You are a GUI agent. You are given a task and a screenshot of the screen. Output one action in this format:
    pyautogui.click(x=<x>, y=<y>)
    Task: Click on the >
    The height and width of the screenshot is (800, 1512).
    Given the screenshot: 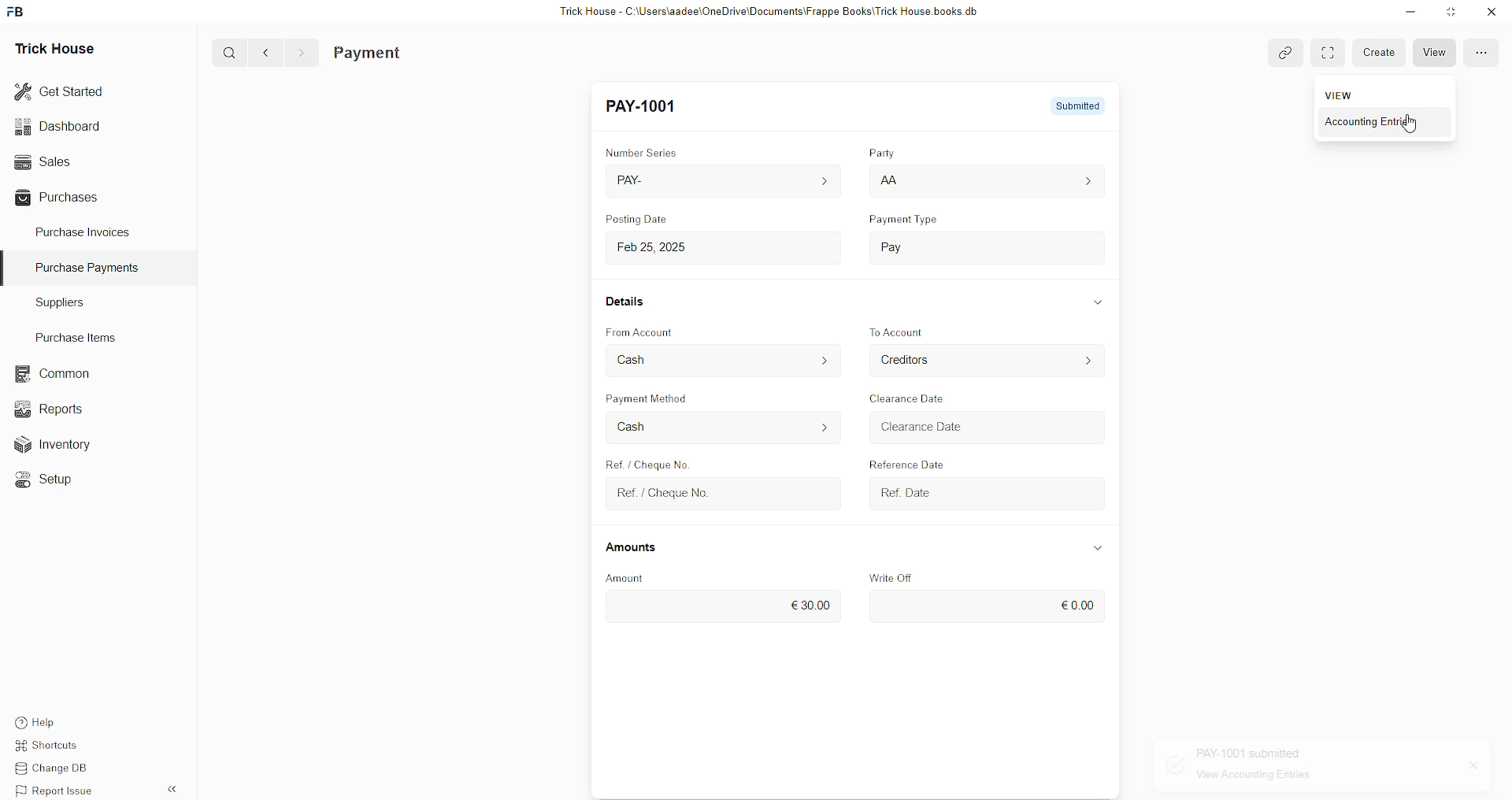 What is the action you would take?
    pyautogui.click(x=301, y=53)
    